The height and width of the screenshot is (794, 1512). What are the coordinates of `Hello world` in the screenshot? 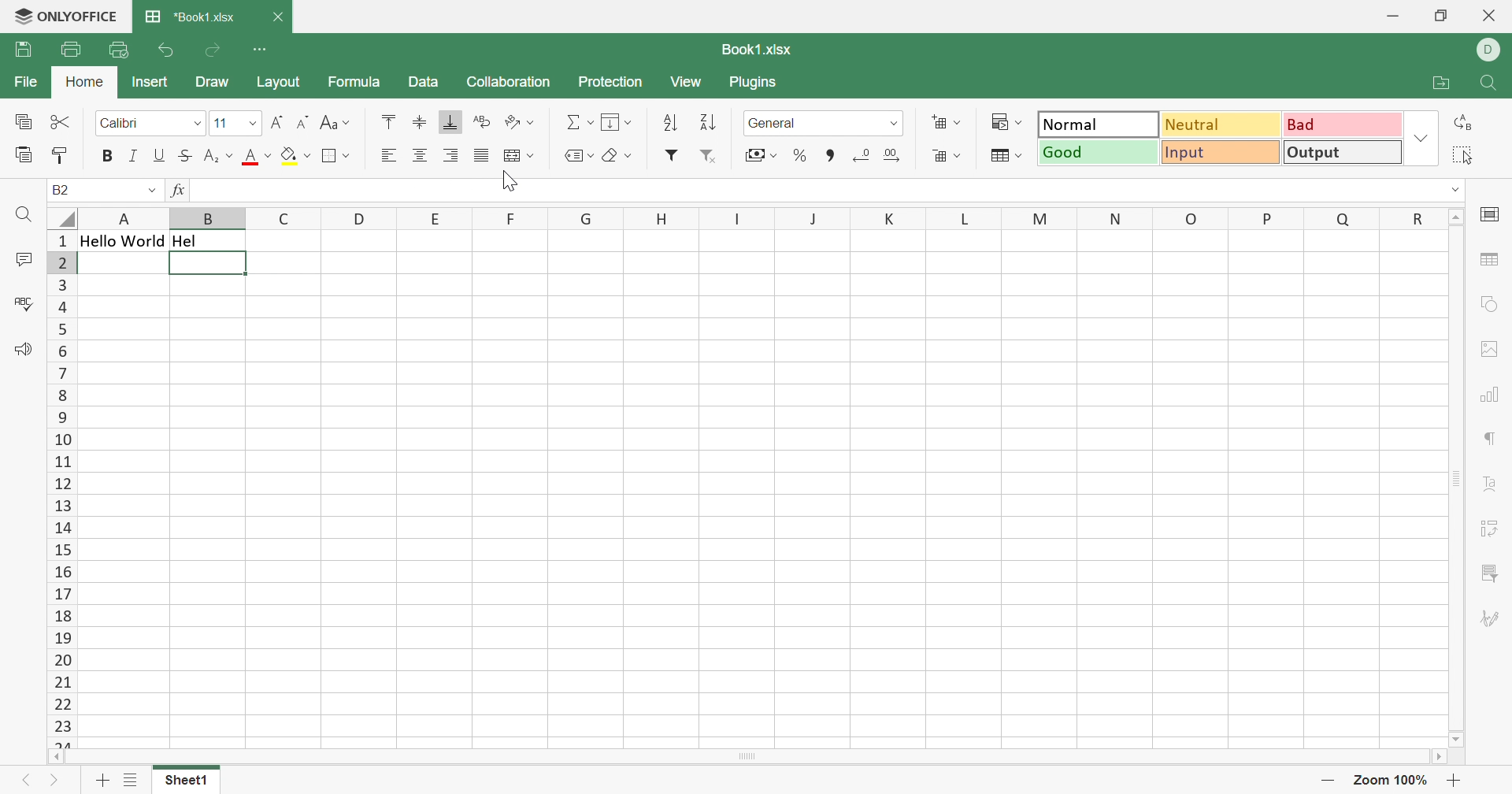 It's located at (122, 242).